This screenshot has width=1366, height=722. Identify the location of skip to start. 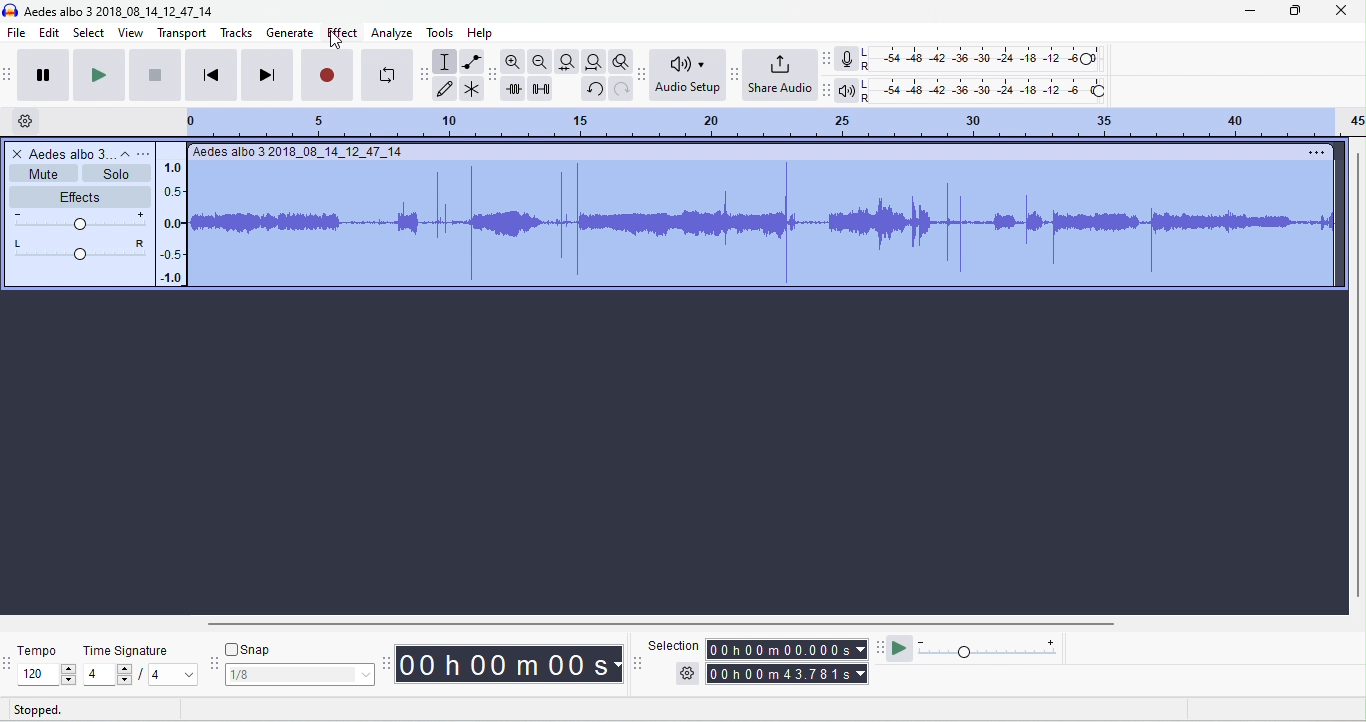
(211, 75).